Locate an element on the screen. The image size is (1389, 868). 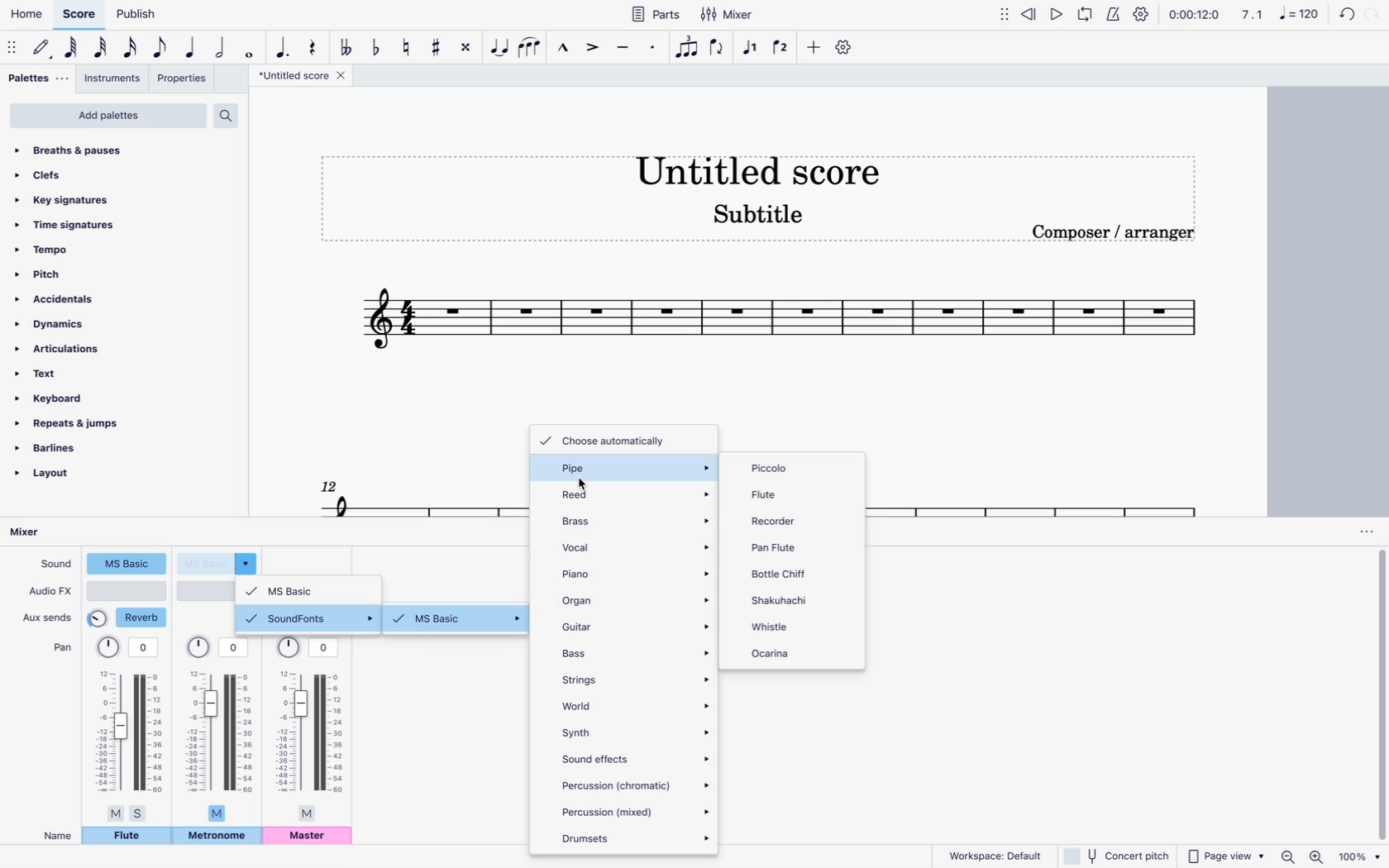
reed is located at coordinates (634, 494).